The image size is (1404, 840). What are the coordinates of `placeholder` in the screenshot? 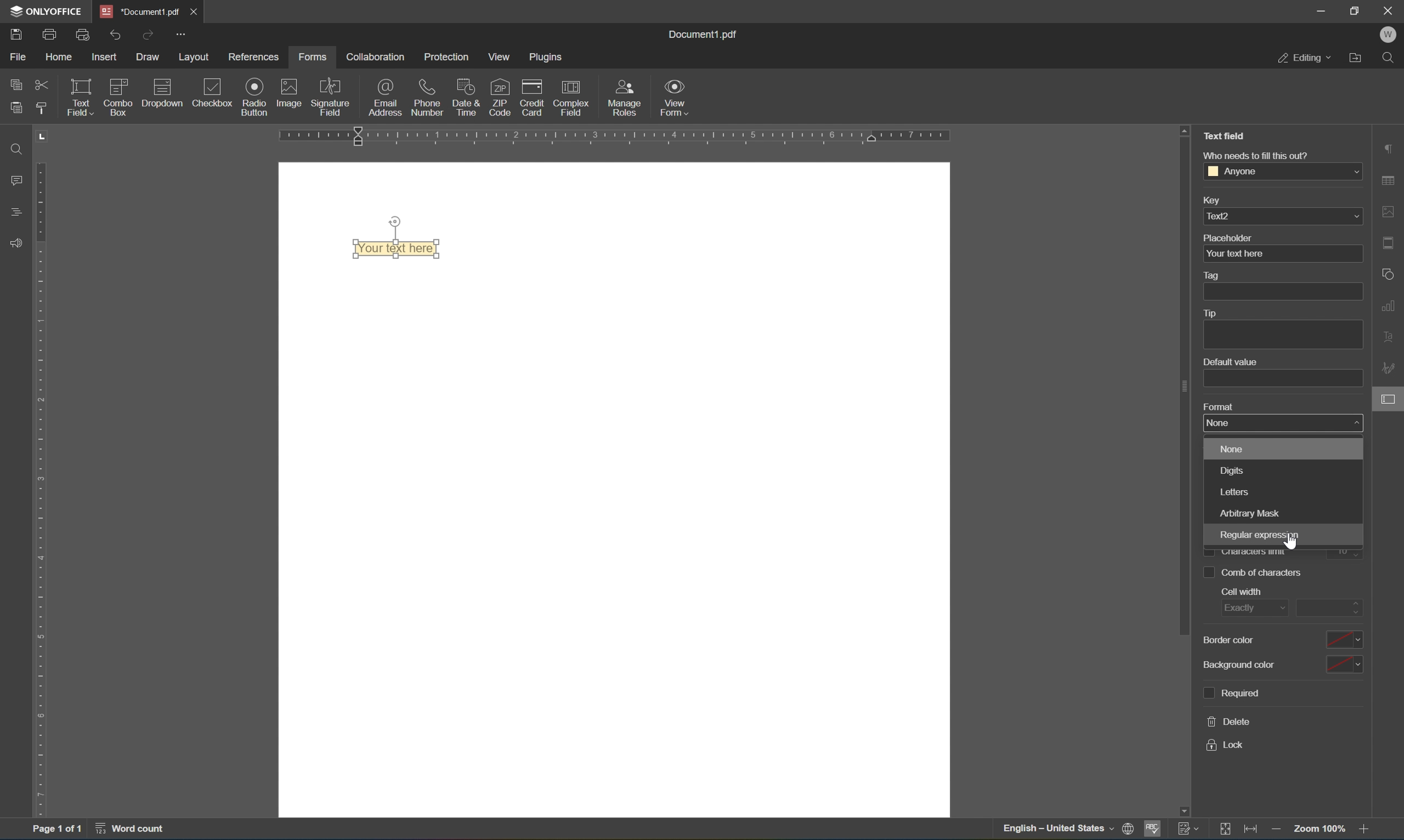 It's located at (1227, 237).